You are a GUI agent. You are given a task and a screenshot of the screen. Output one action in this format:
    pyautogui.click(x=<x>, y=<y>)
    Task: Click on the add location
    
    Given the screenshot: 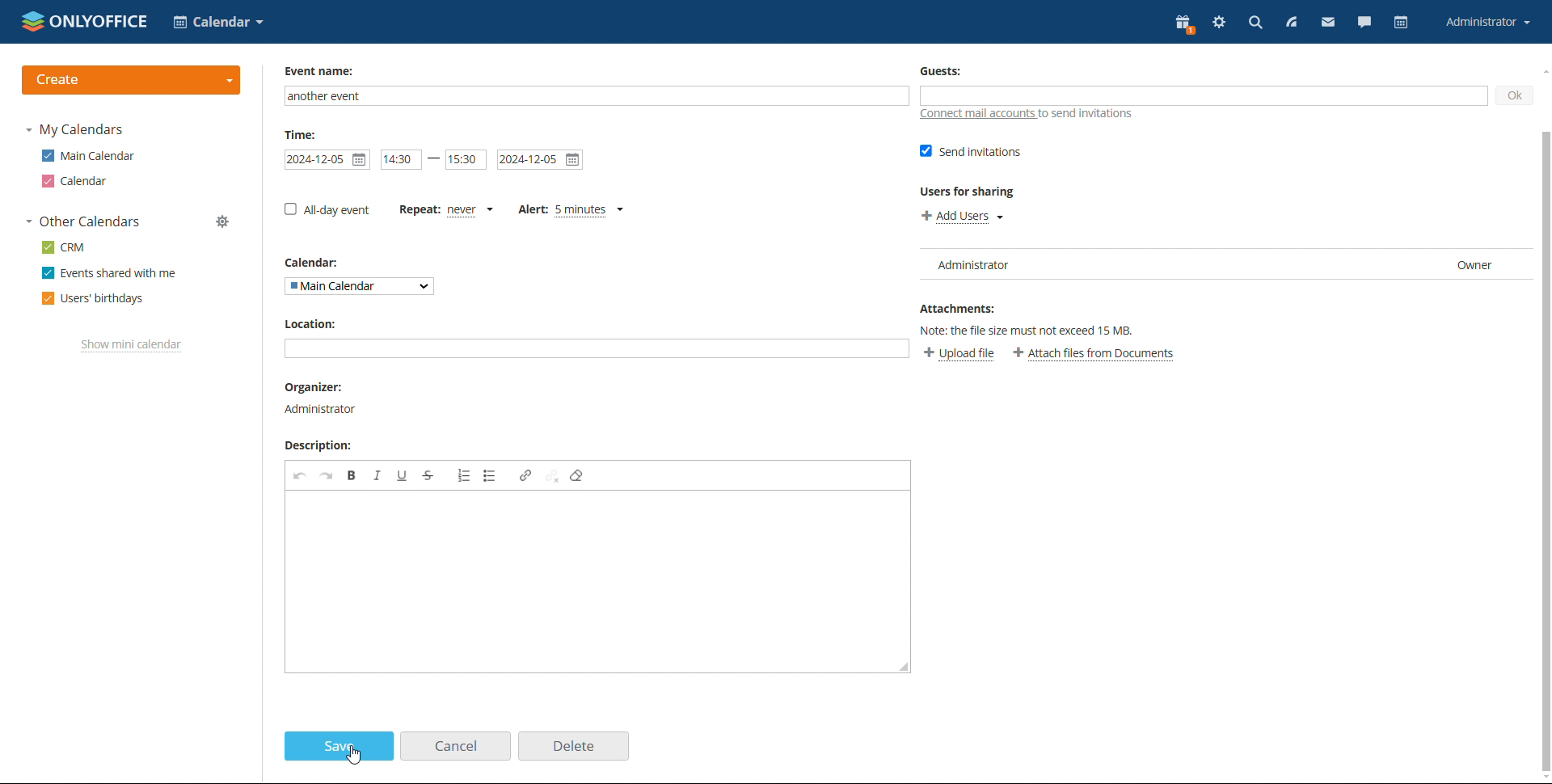 What is the action you would take?
    pyautogui.click(x=596, y=348)
    